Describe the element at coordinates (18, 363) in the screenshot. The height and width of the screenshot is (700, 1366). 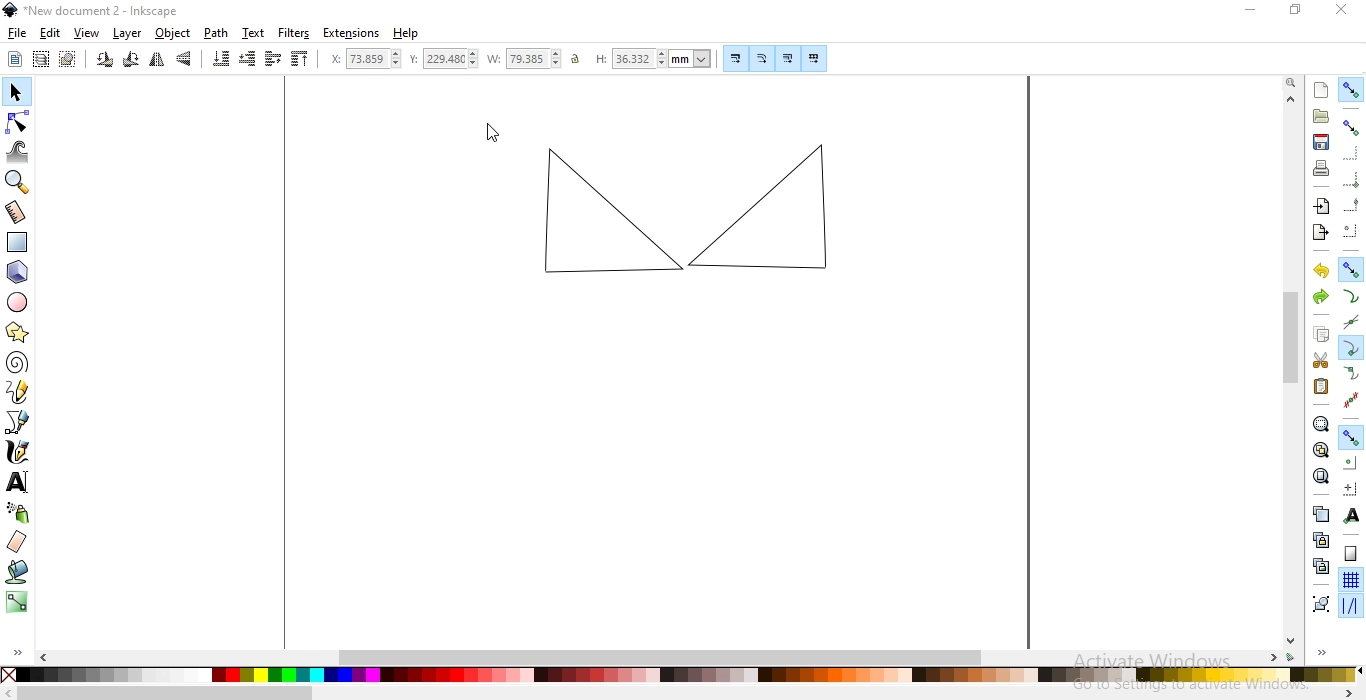
I see `create spirals` at that location.